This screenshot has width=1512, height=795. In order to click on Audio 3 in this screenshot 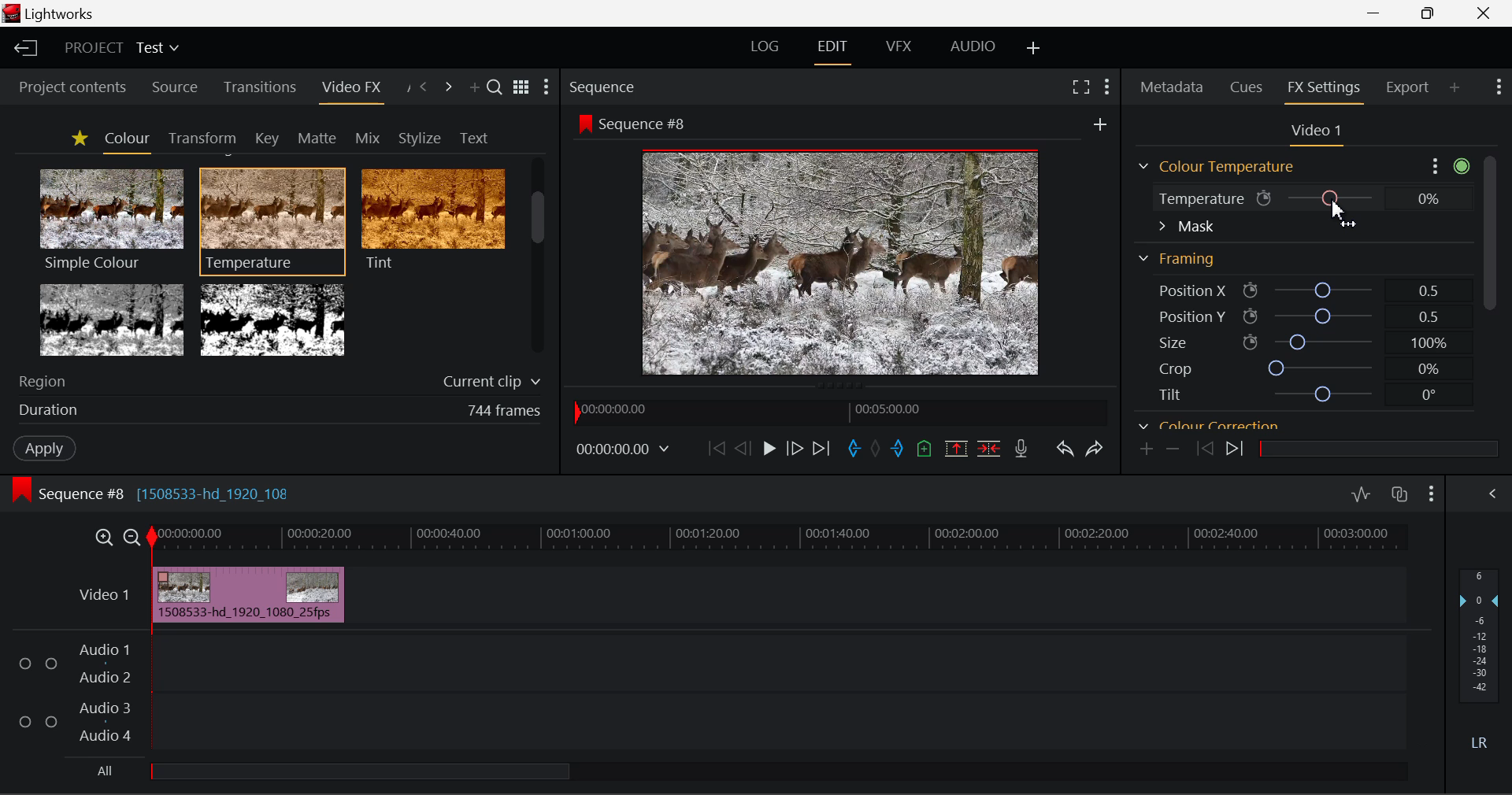, I will do `click(102, 708)`.